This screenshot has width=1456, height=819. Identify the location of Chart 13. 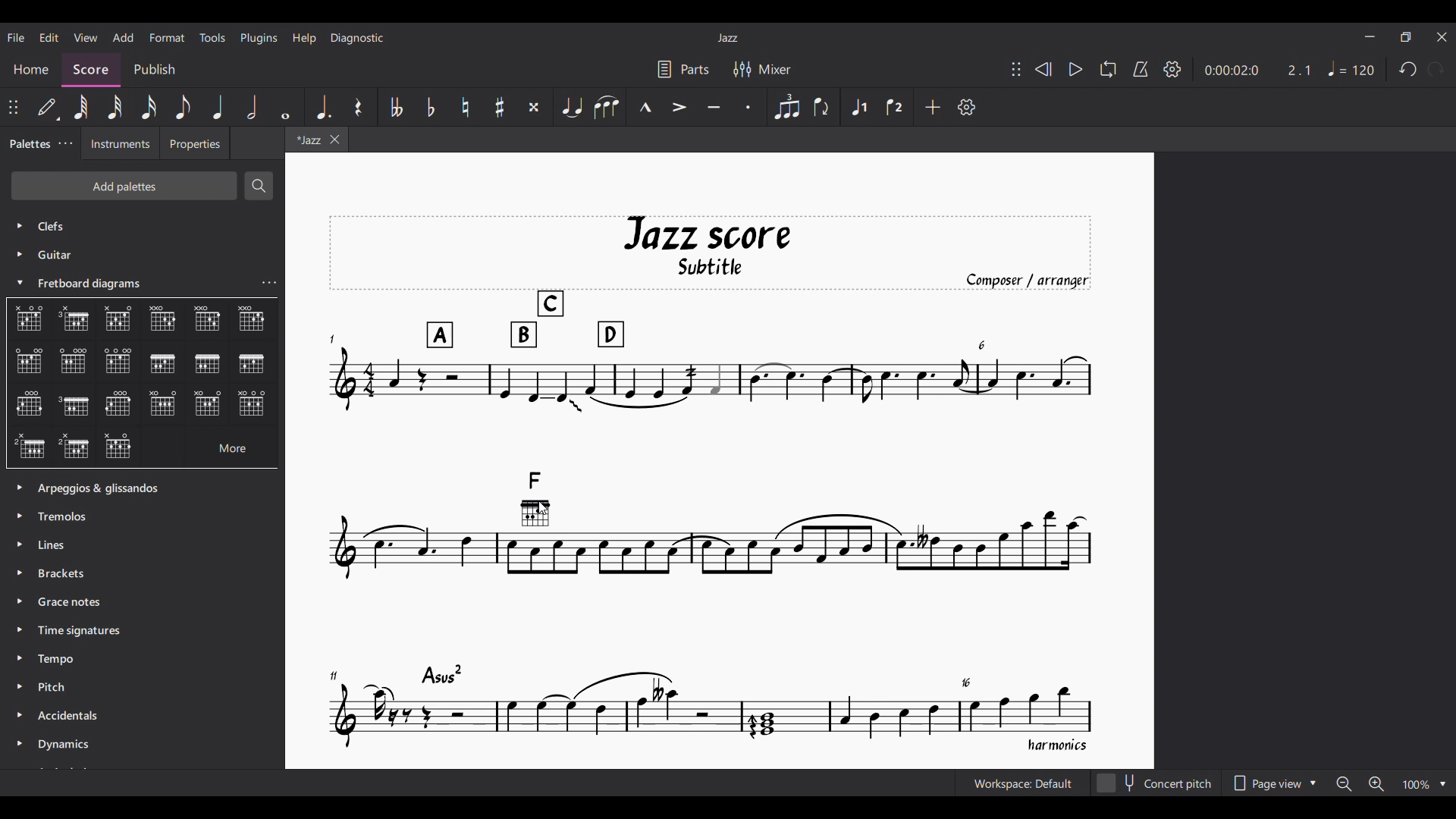
(74, 405).